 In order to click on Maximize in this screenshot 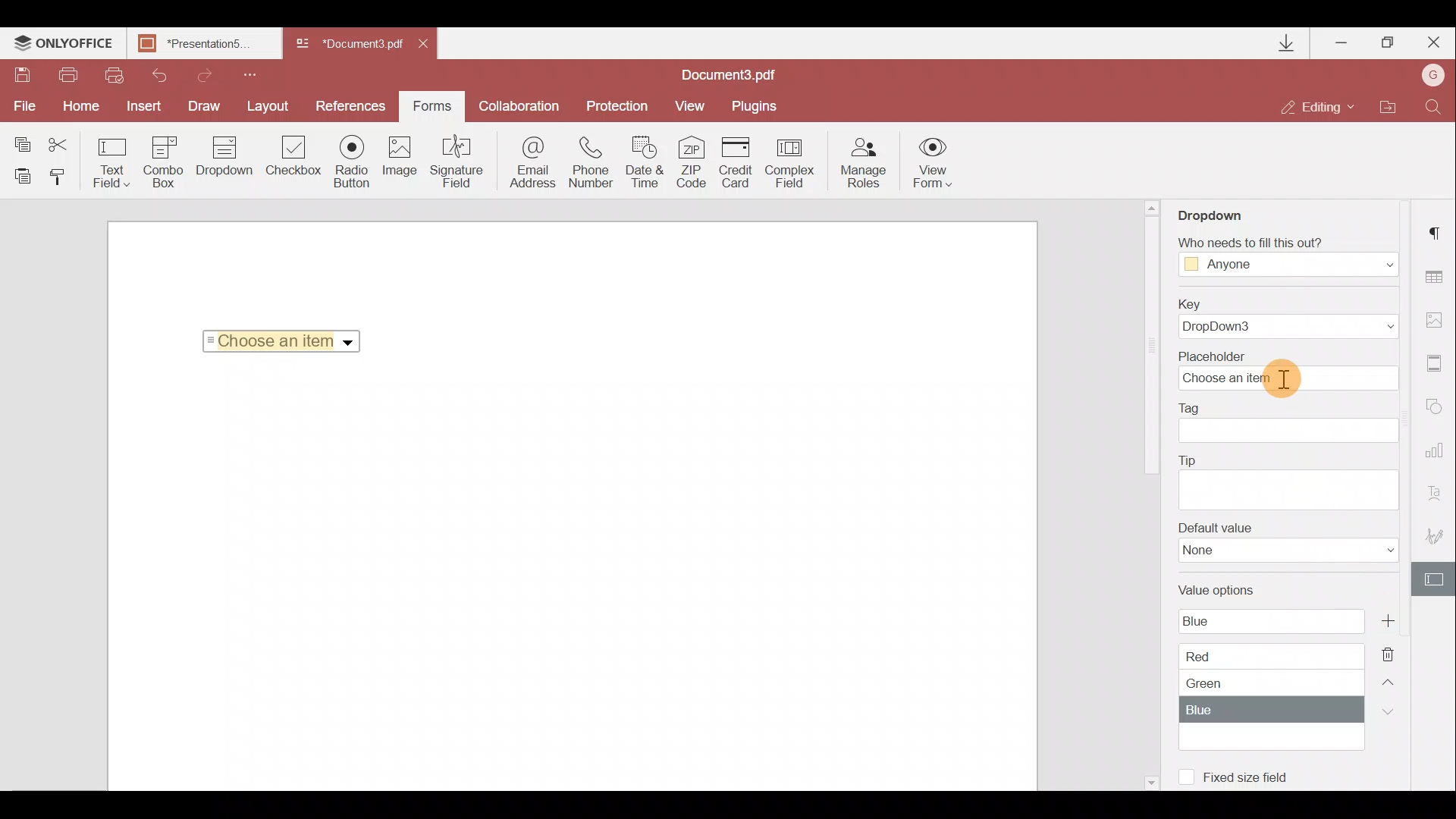, I will do `click(1387, 45)`.